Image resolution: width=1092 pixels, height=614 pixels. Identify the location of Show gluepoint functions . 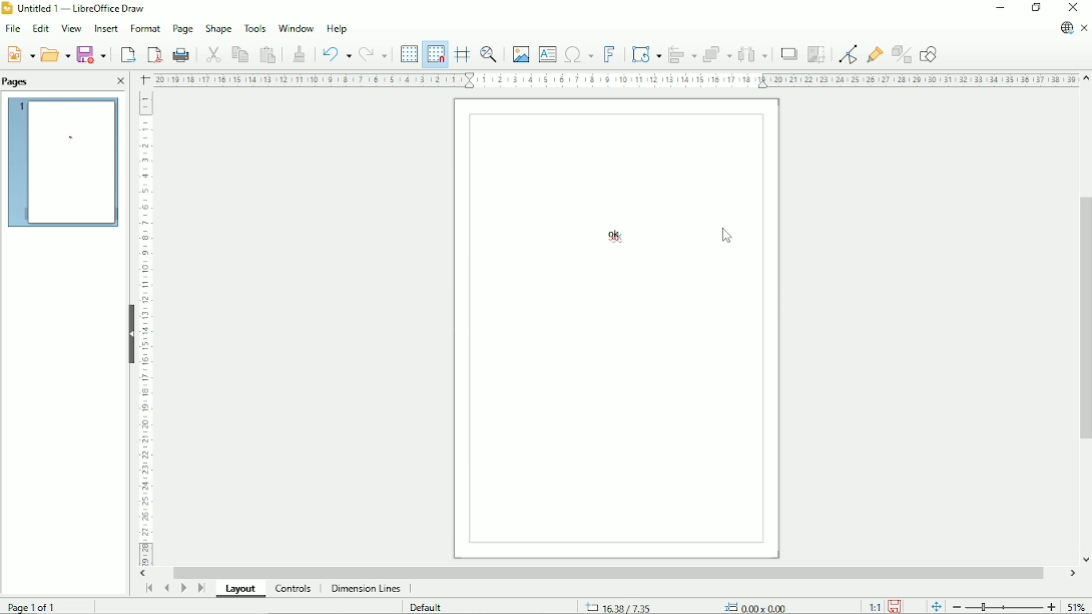
(875, 54).